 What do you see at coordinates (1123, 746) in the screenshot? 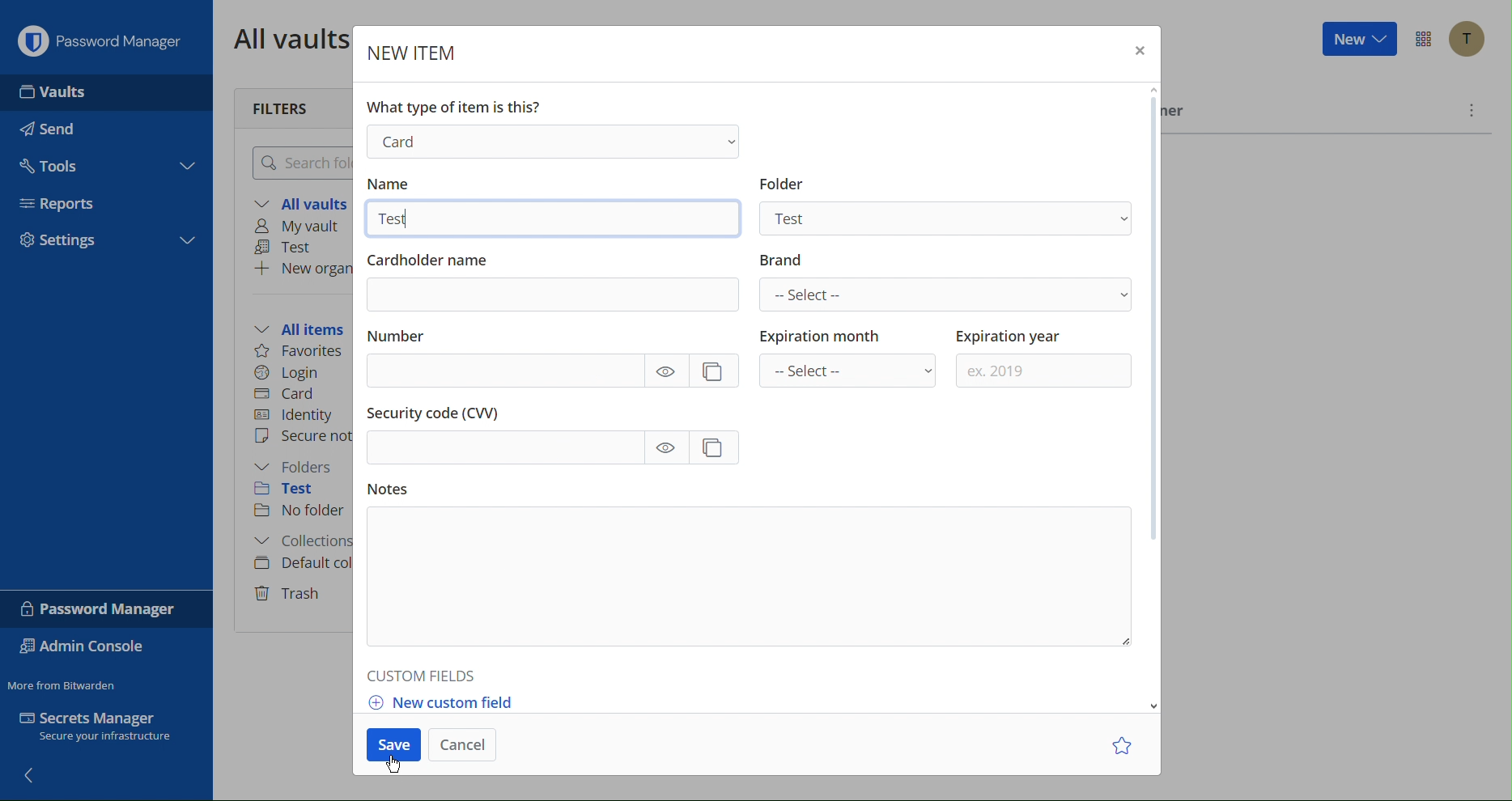
I see `Star` at bounding box center [1123, 746].